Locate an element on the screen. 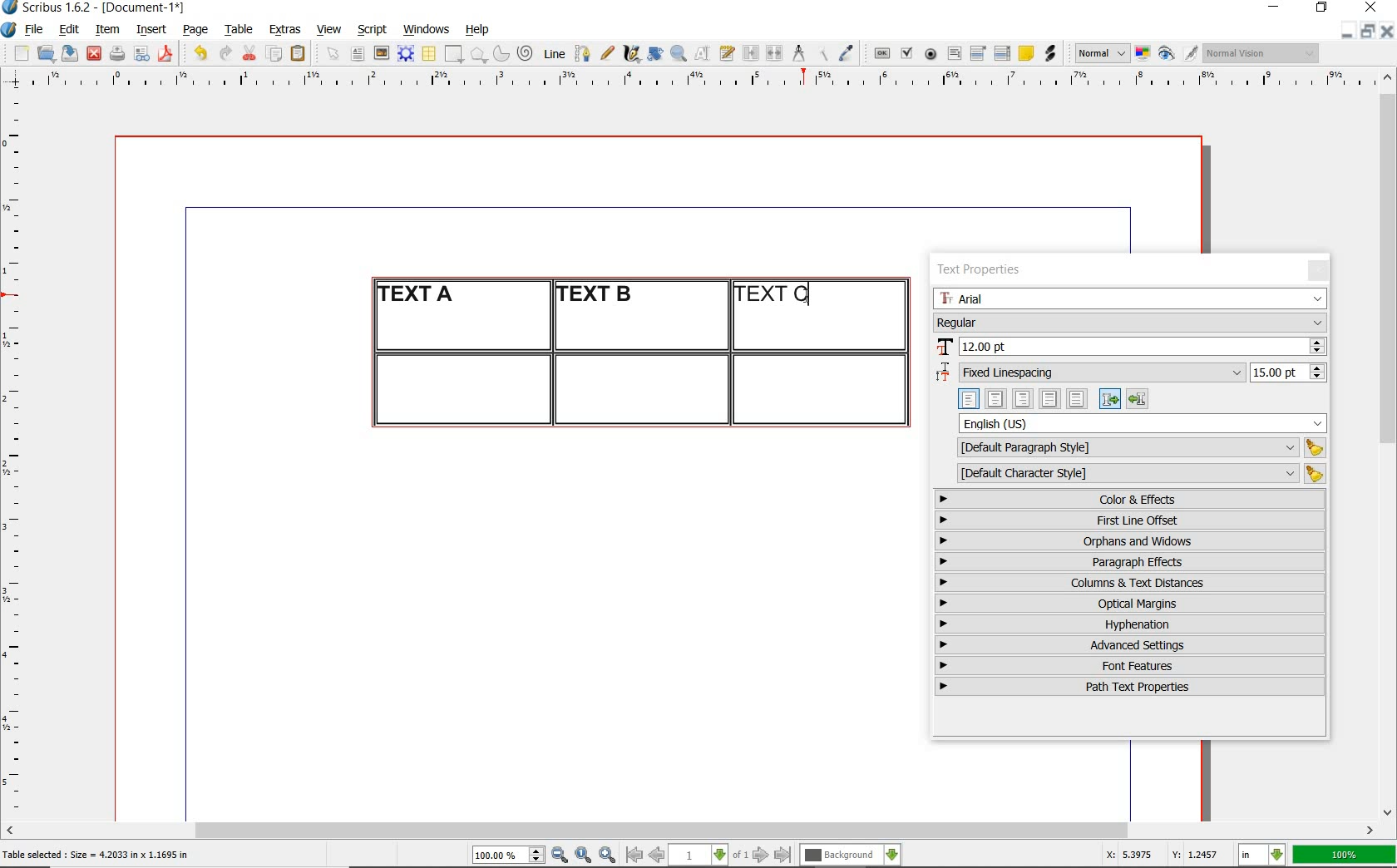  pdf list box is located at coordinates (1003, 53).